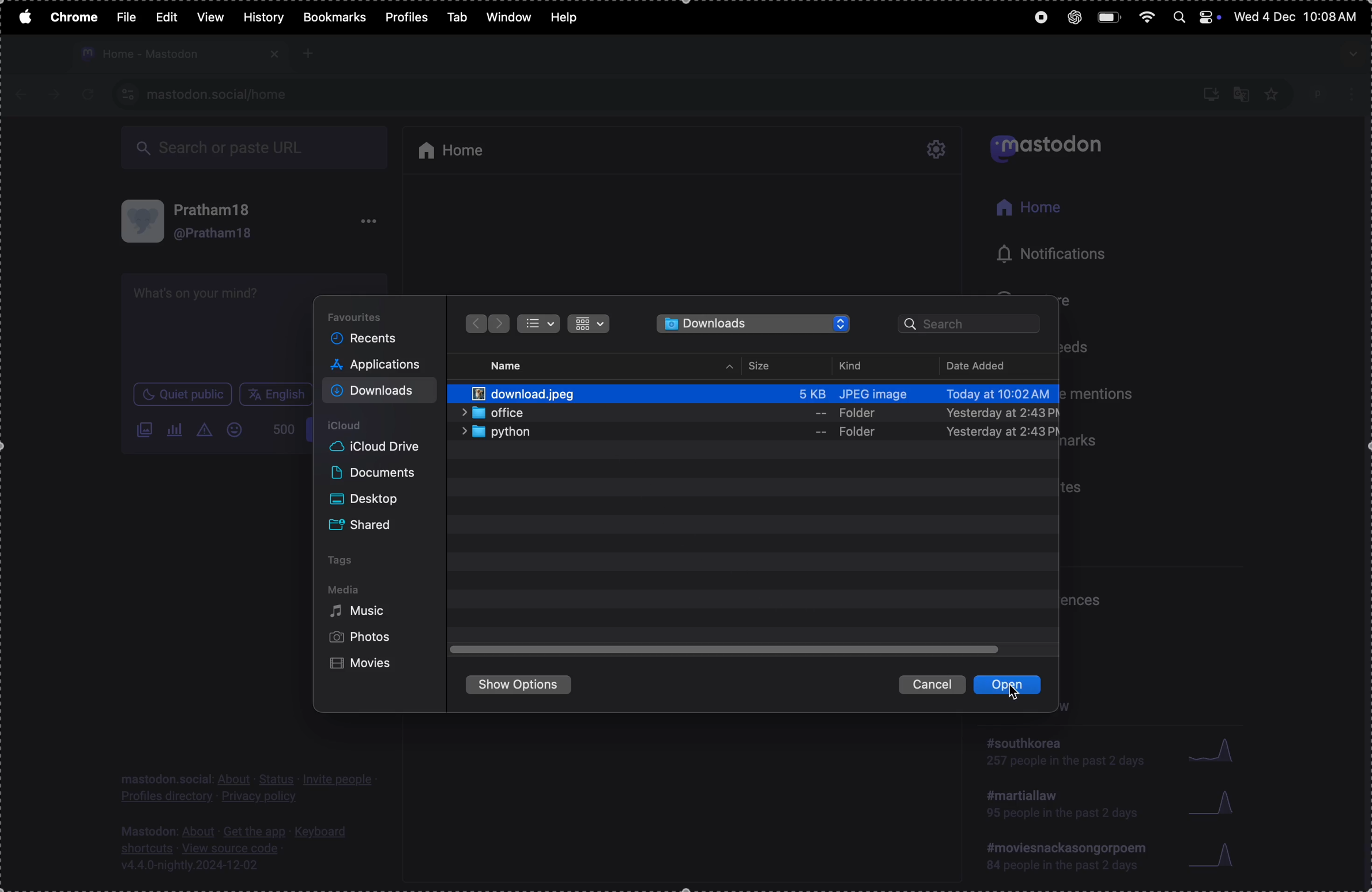  What do you see at coordinates (379, 391) in the screenshot?
I see `Down loads` at bounding box center [379, 391].